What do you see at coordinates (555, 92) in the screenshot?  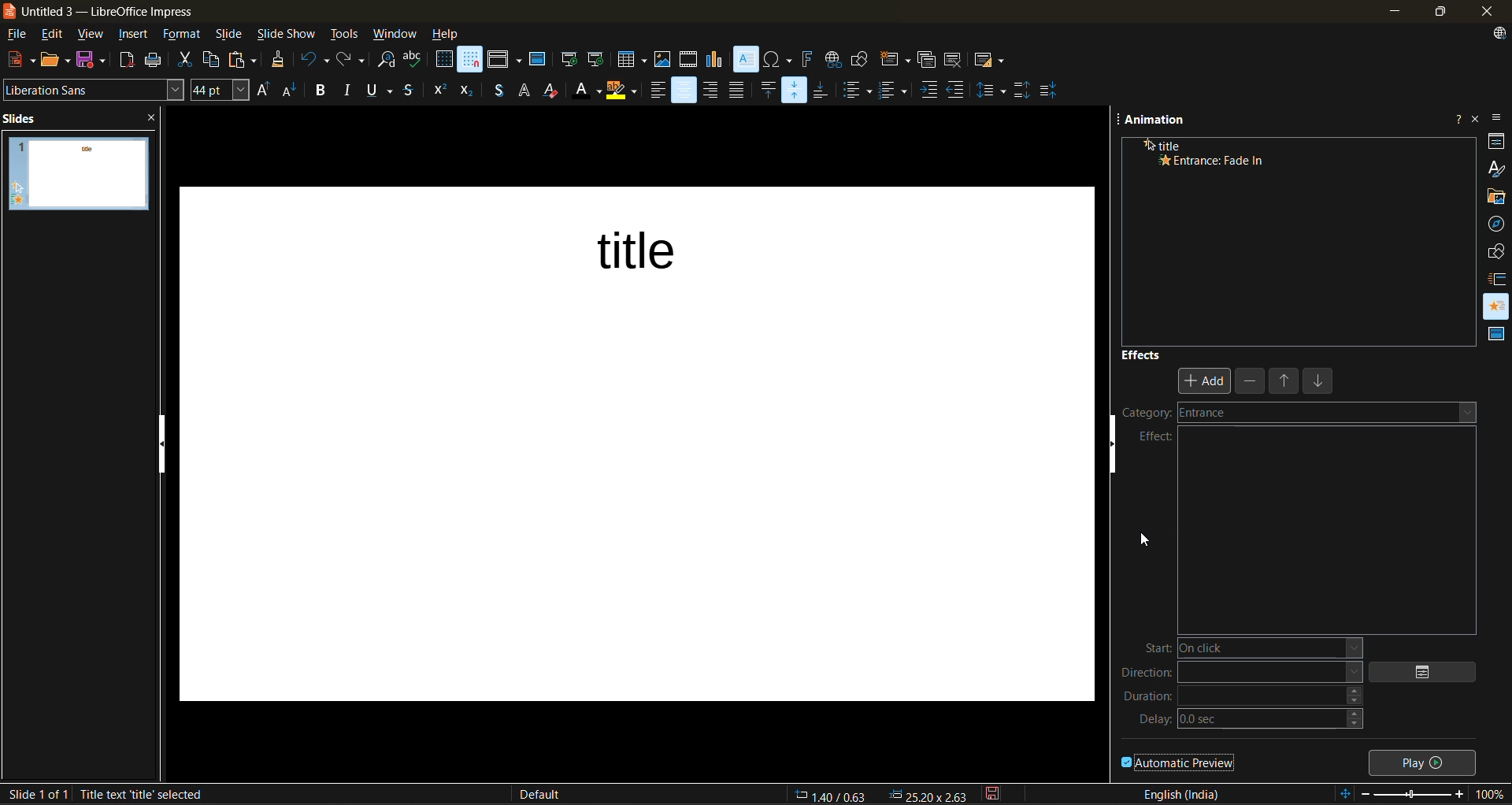 I see `clear direct formatting` at bounding box center [555, 92].